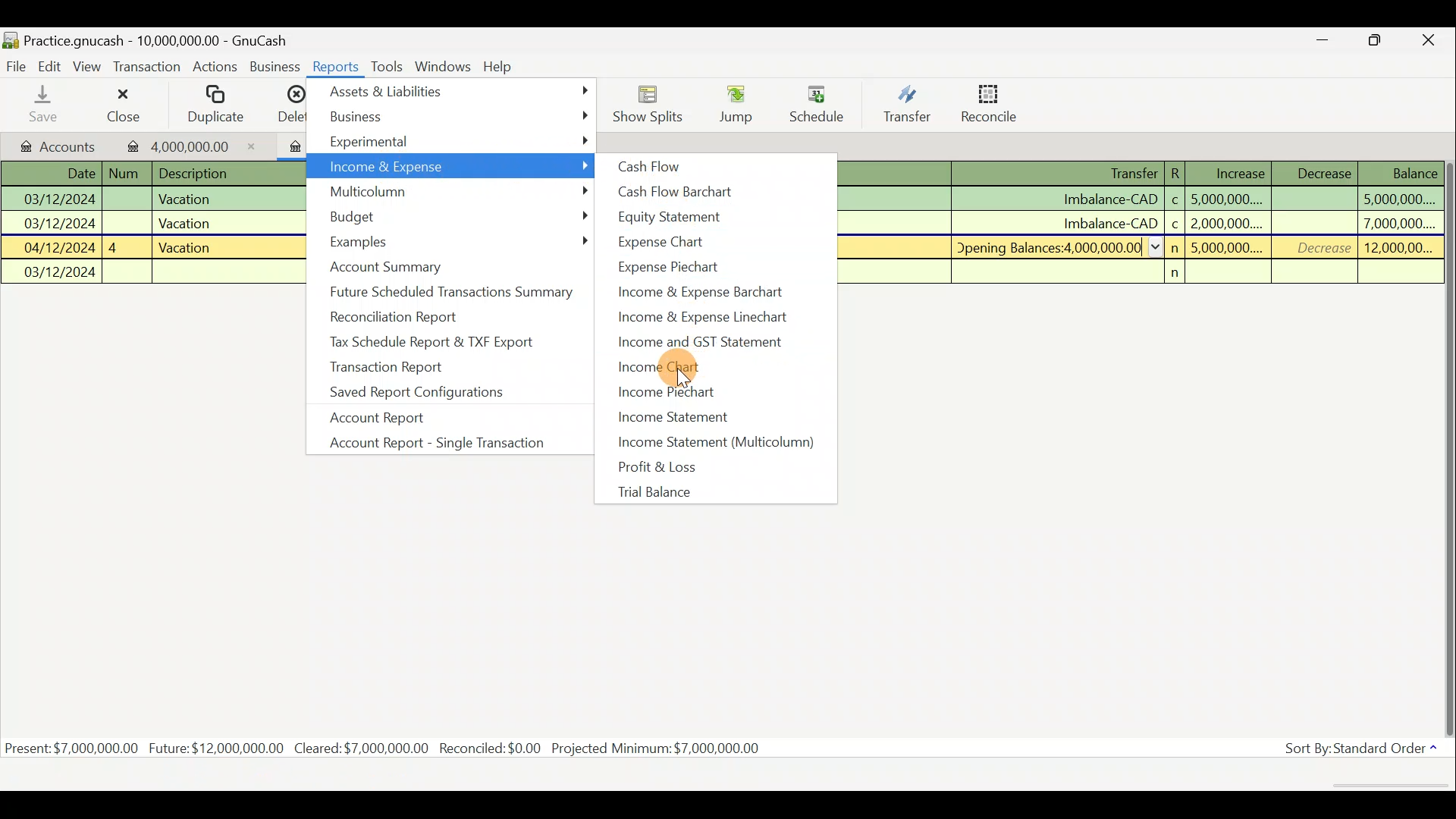 Image resolution: width=1456 pixels, height=819 pixels. I want to click on Imbalance-CAD, so click(1109, 224).